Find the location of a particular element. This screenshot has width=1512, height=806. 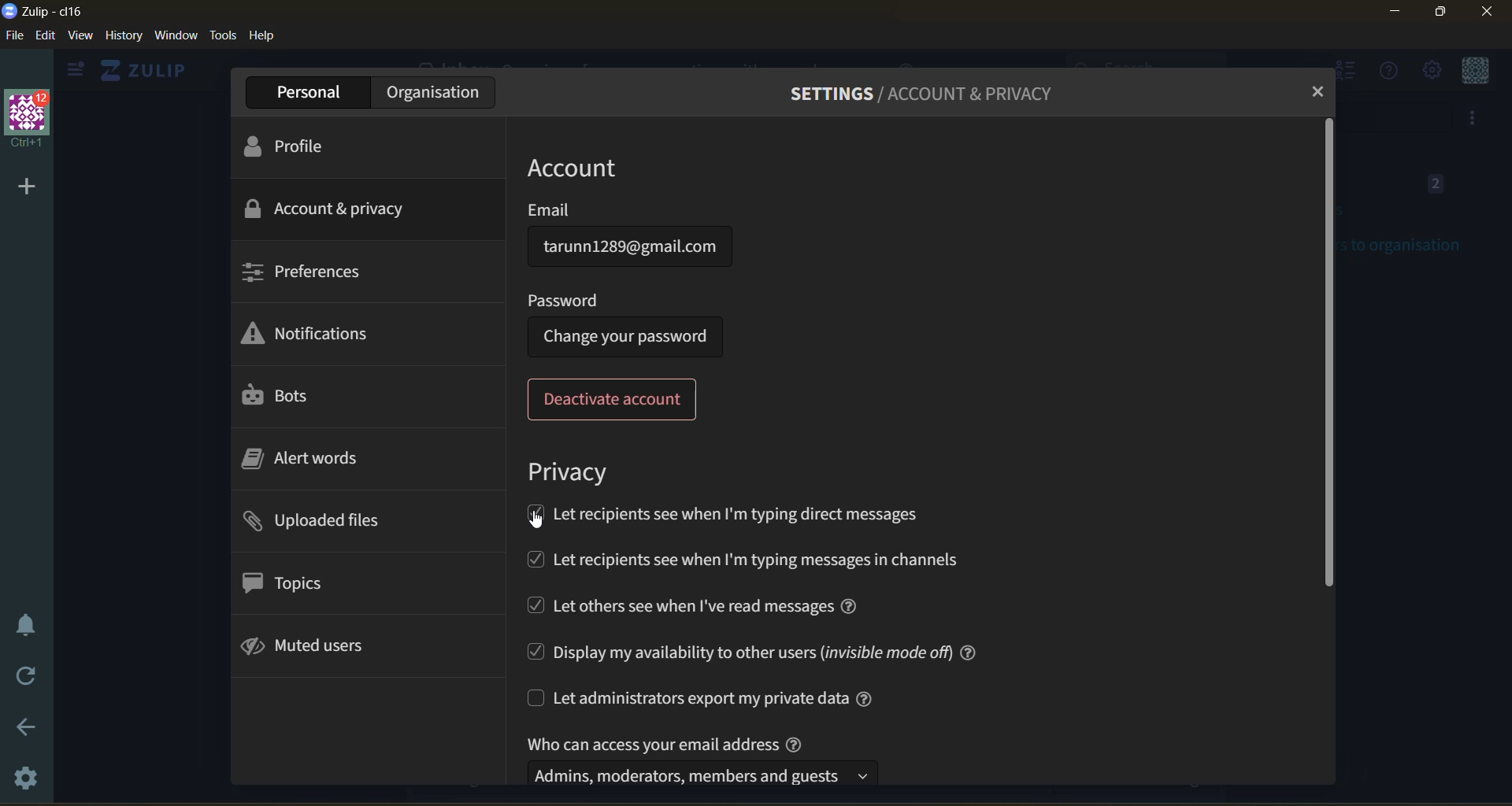

add organisation is located at coordinates (20, 183).